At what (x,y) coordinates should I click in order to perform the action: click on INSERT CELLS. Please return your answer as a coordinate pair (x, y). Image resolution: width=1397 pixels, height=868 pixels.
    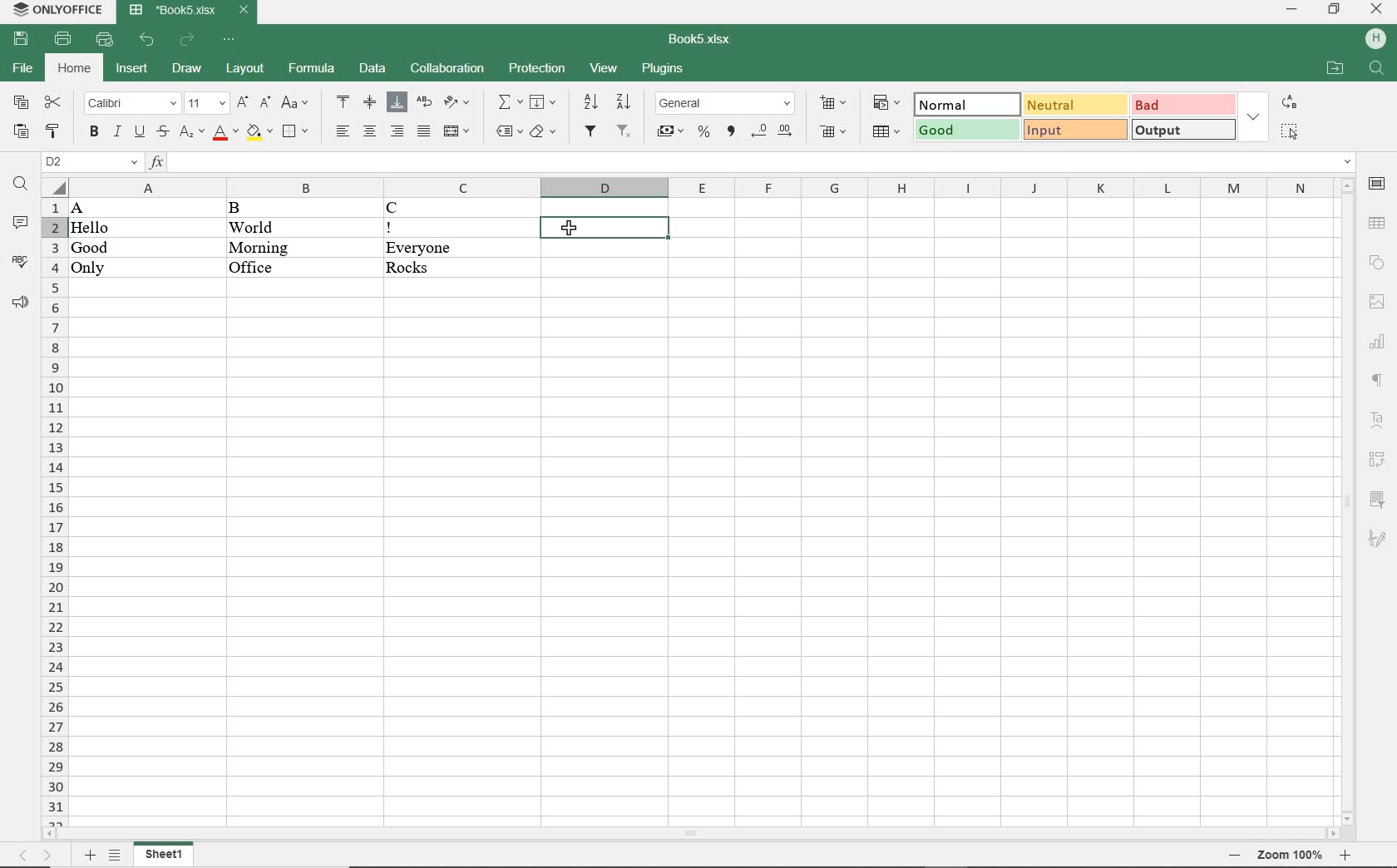
    Looking at the image, I should click on (835, 104).